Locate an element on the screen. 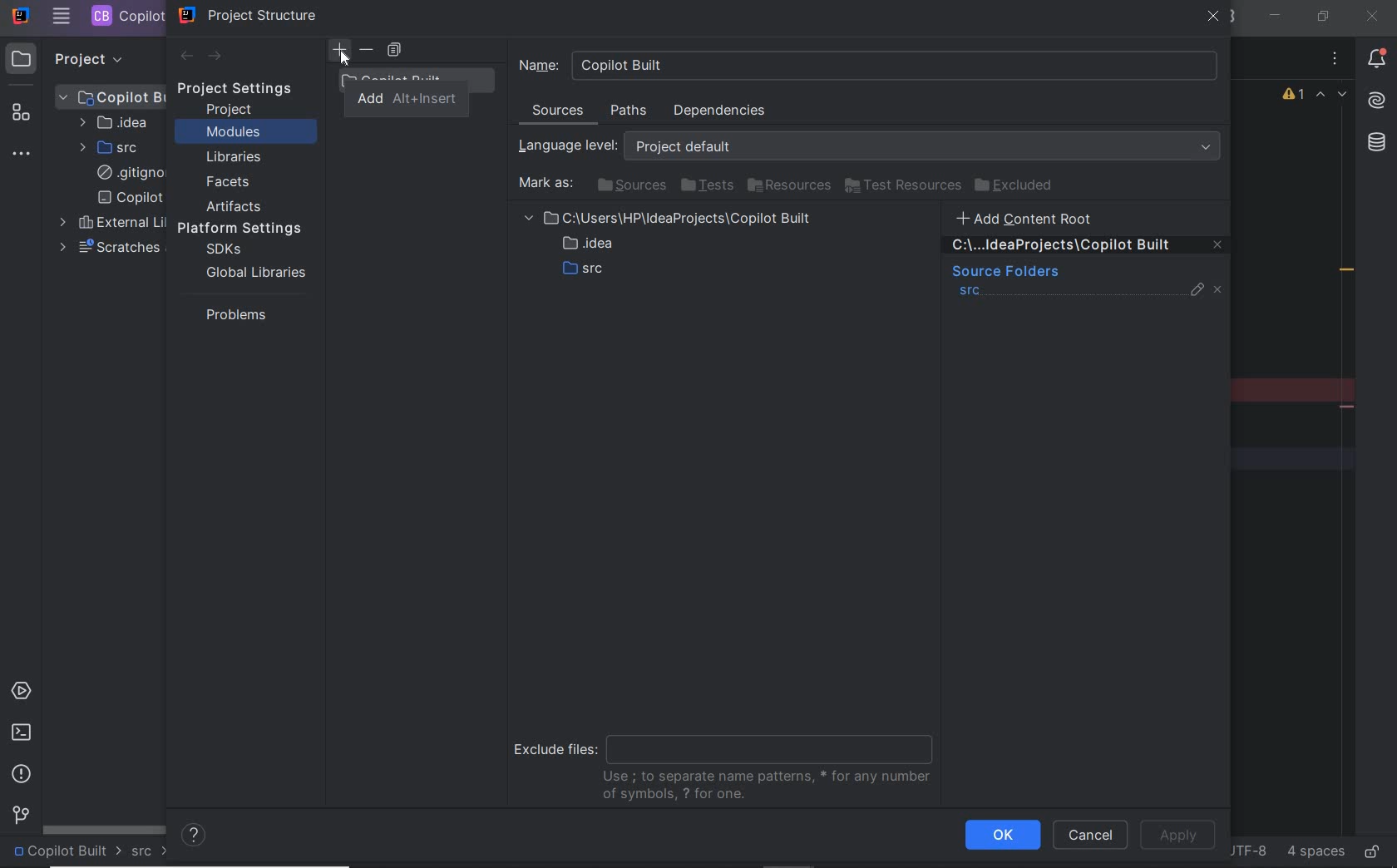 This screenshot has width=1397, height=868. .gitignore is located at coordinates (127, 174).